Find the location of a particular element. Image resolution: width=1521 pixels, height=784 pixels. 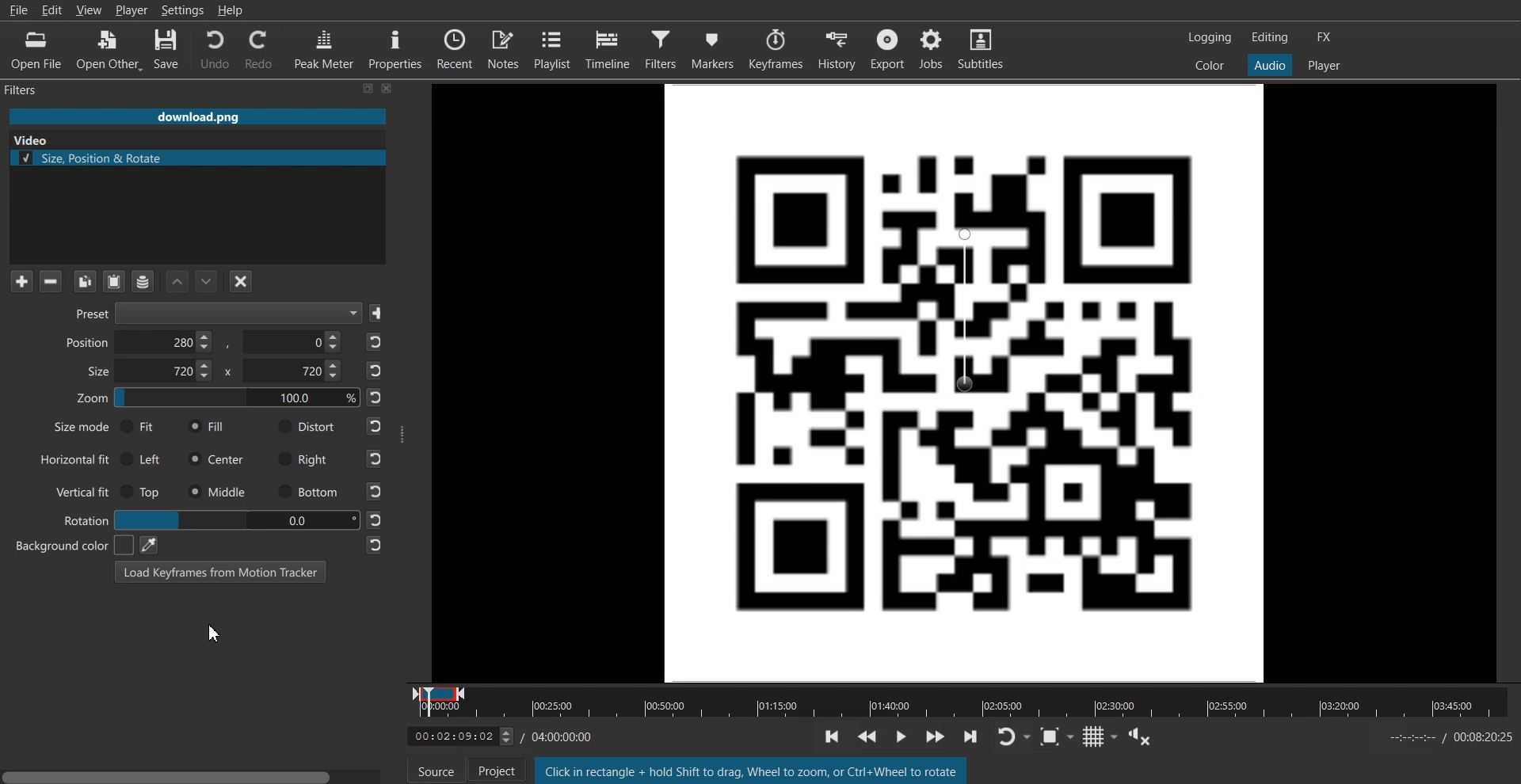

Zoom Adjuster is located at coordinates (217, 401).